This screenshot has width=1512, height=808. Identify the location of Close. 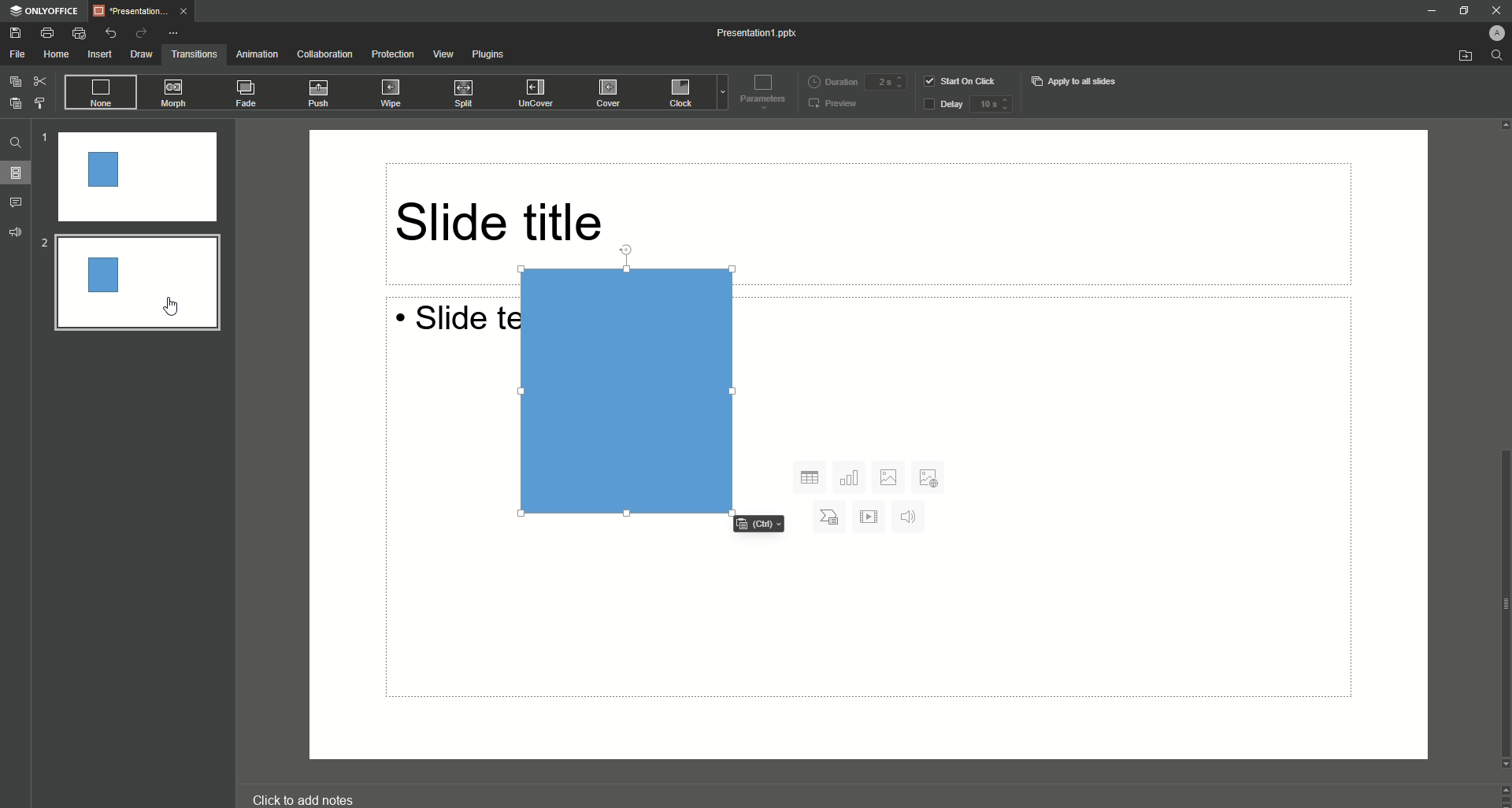
(1494, 11).